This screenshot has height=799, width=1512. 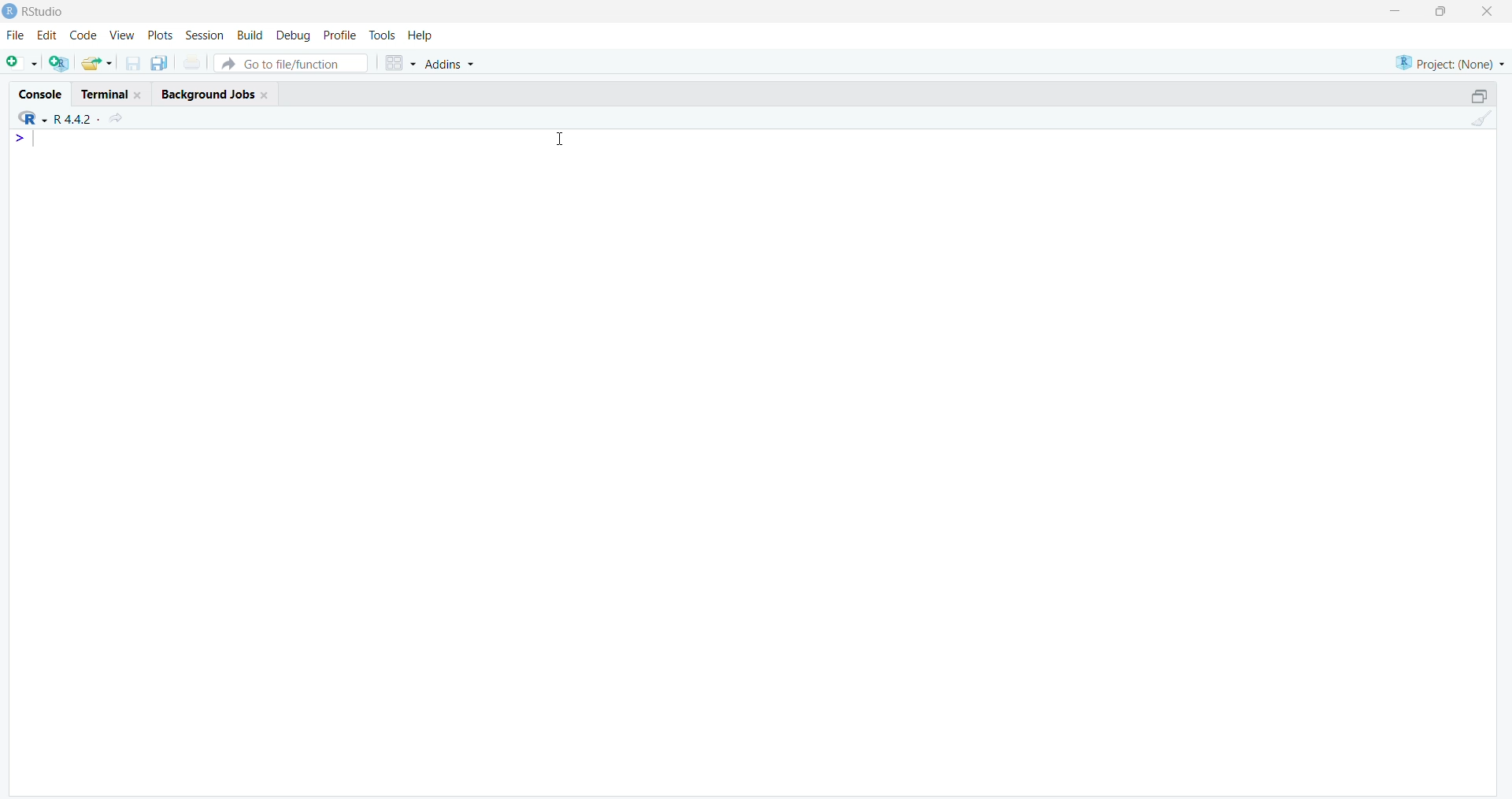 What do you see at coordinates (46, 39) in the screenshot?
I see `Edit` at bounding box center [46, 39].